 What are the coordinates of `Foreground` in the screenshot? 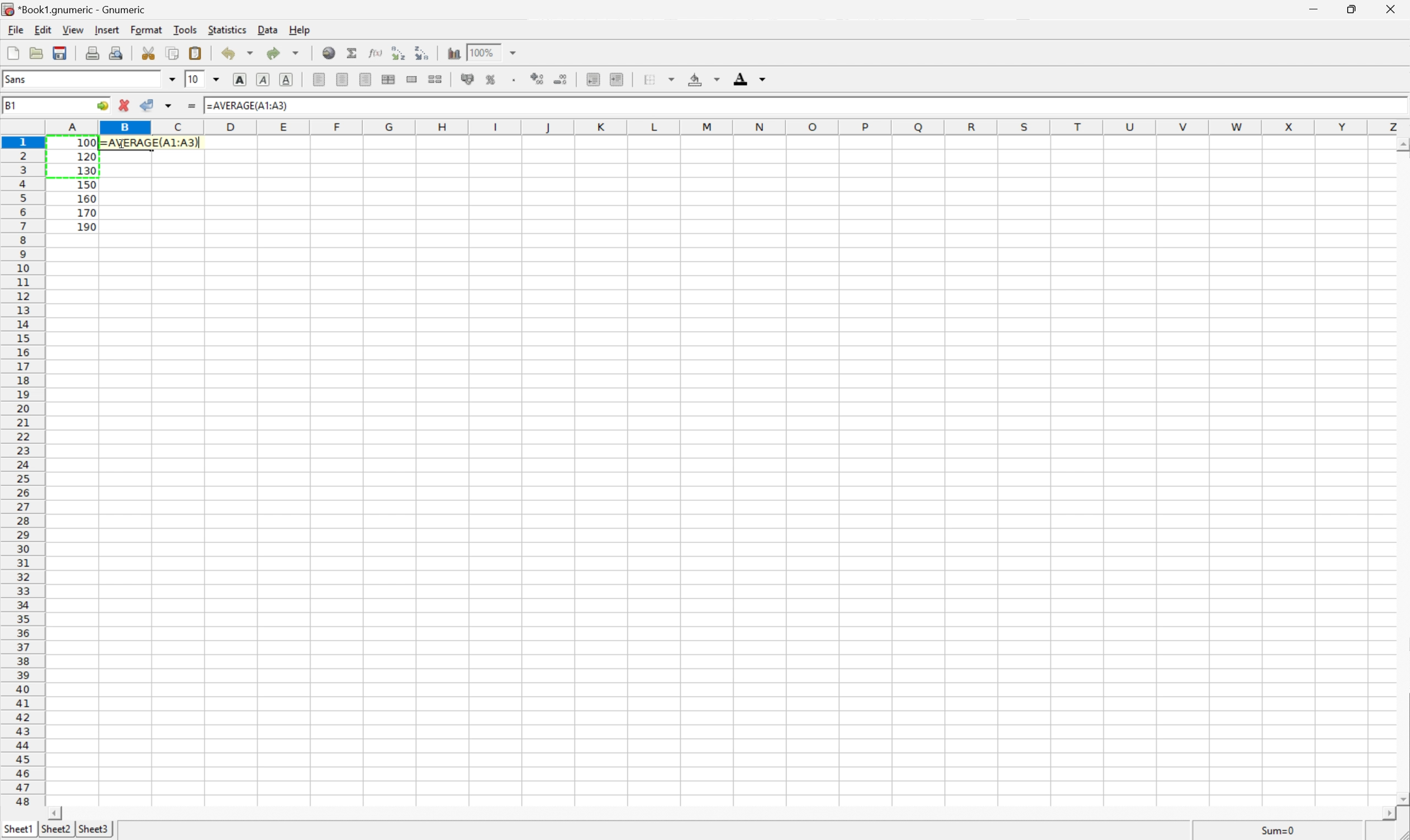 It's located at (749, 79).